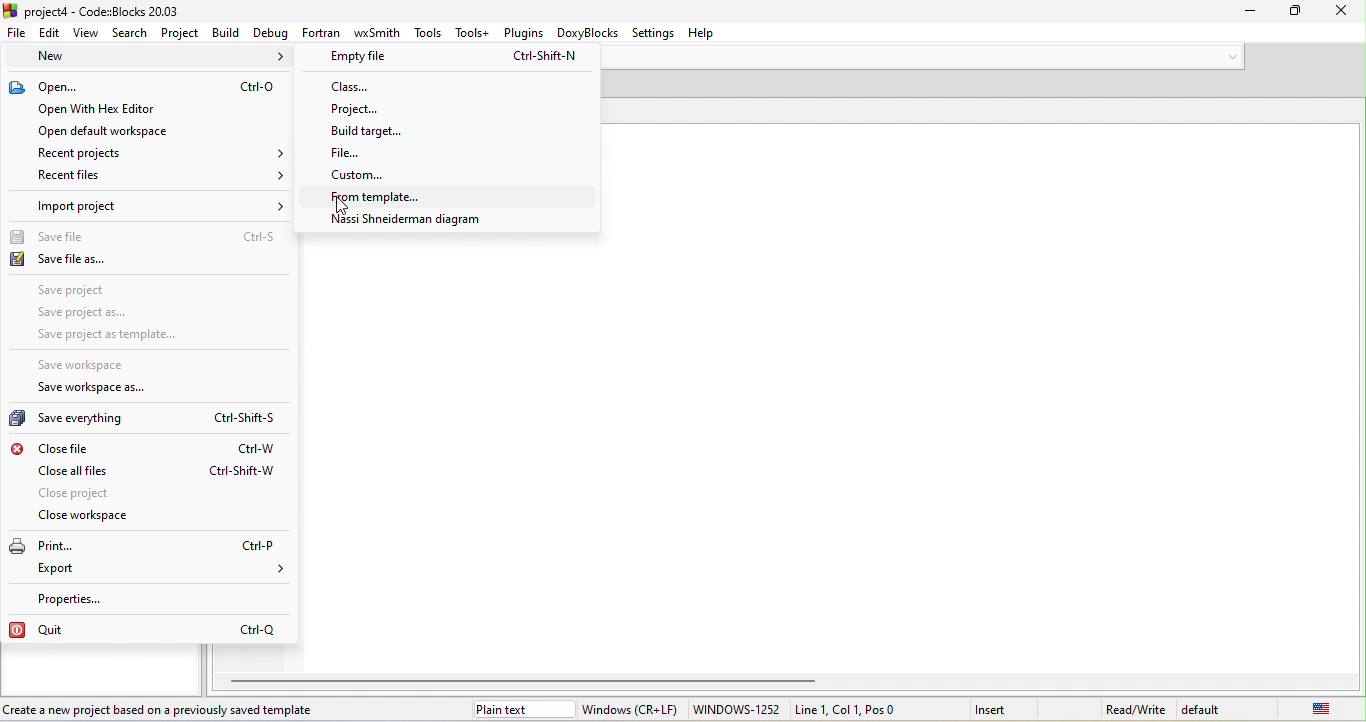  I want to click on tools, so click(430, 33).